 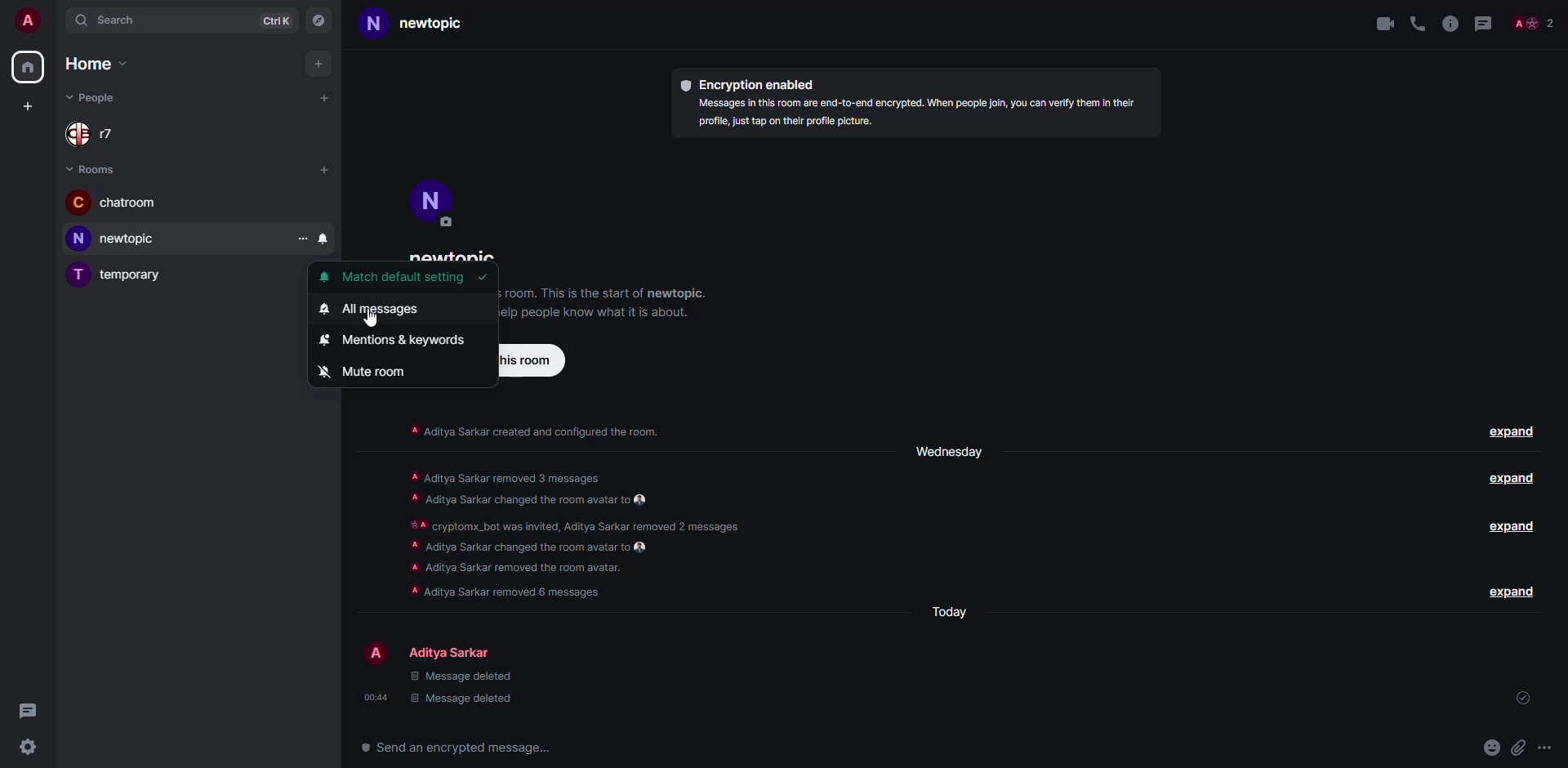 I want to click on info, so click(x=535, y=431).